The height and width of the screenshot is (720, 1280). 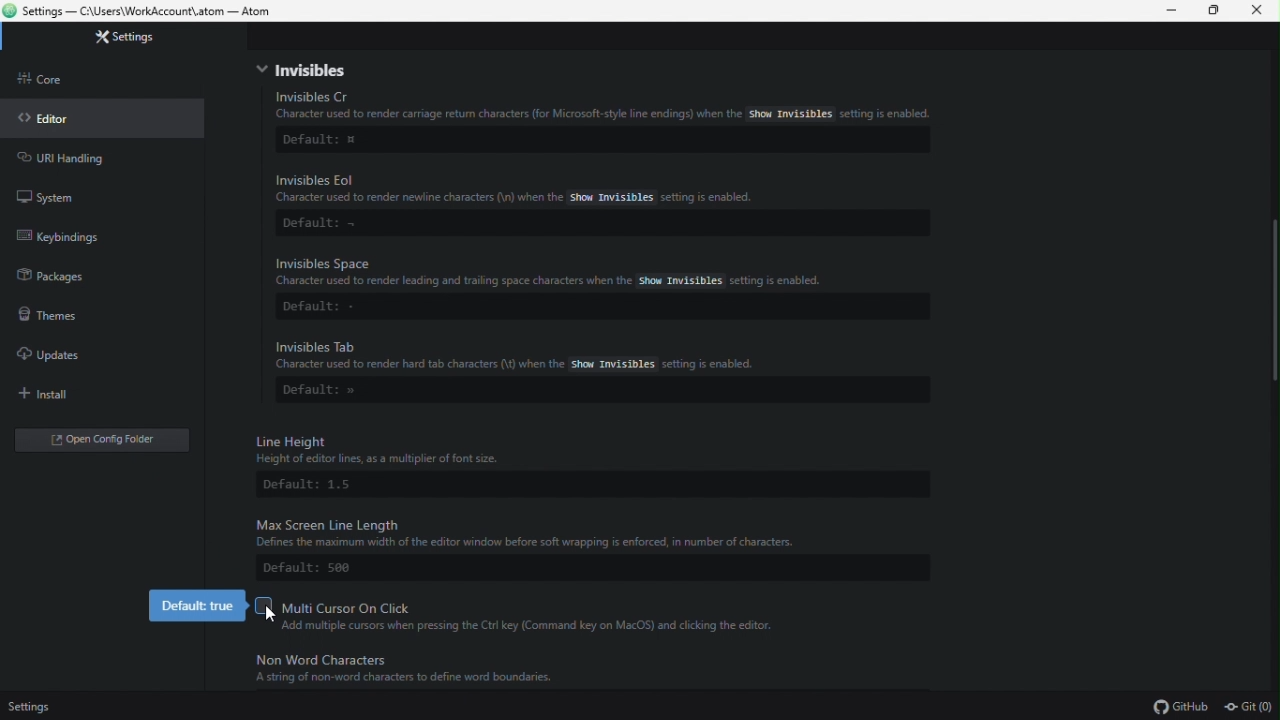 I want to click on Default: 1.5, so click(x=317, y=484).